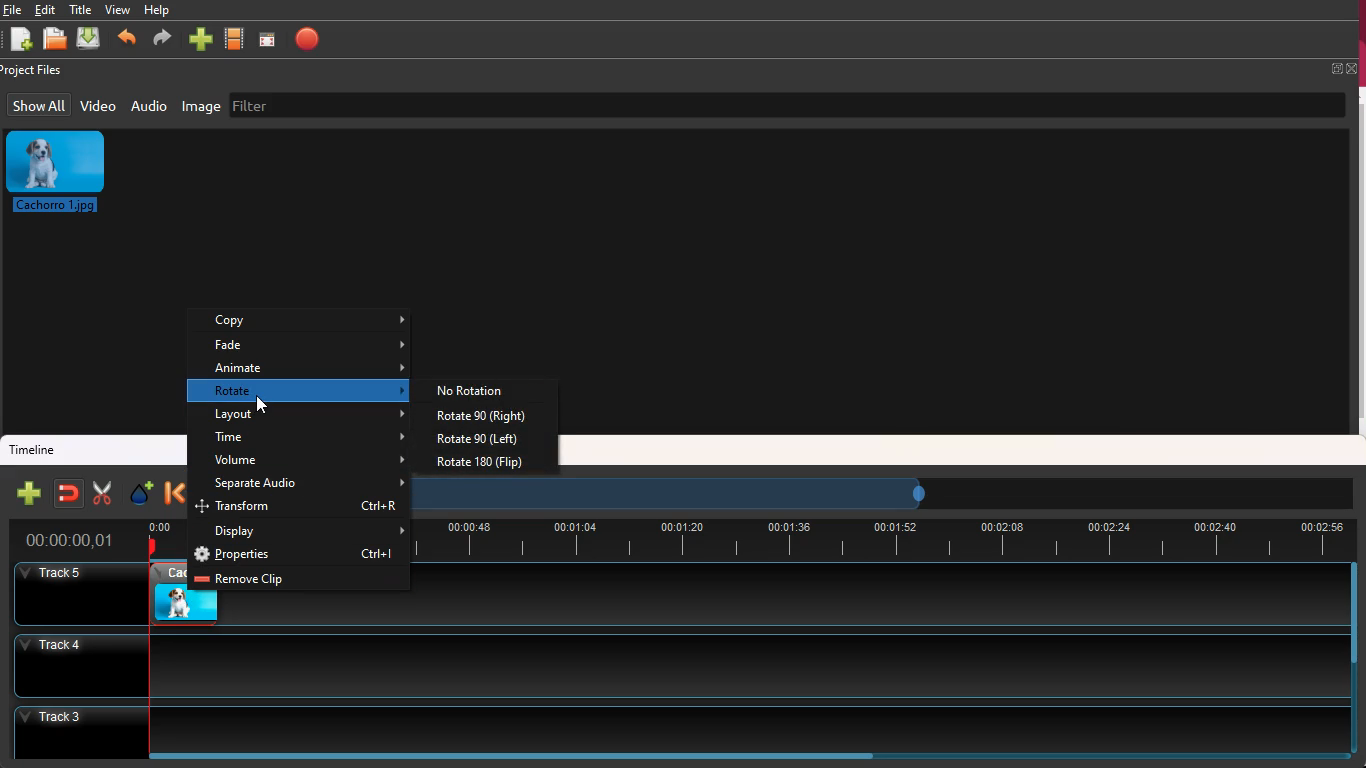 This screenshot has width=1366, height=768. Describe the element at coordinates (160, 10) in the screenshot. I see `help` at that location.